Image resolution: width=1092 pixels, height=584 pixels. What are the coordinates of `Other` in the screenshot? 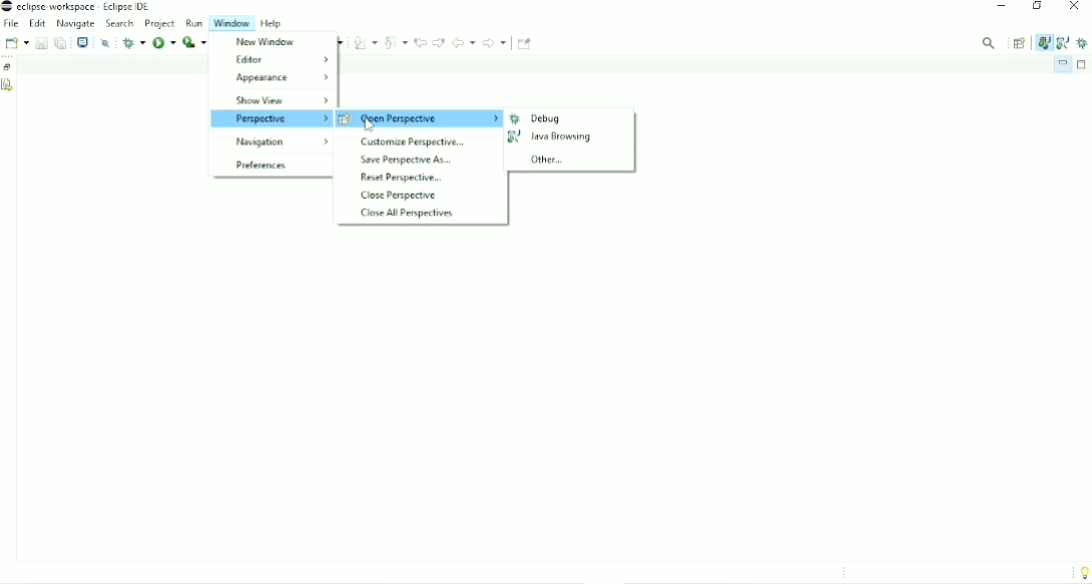 It's located at (548, 160).